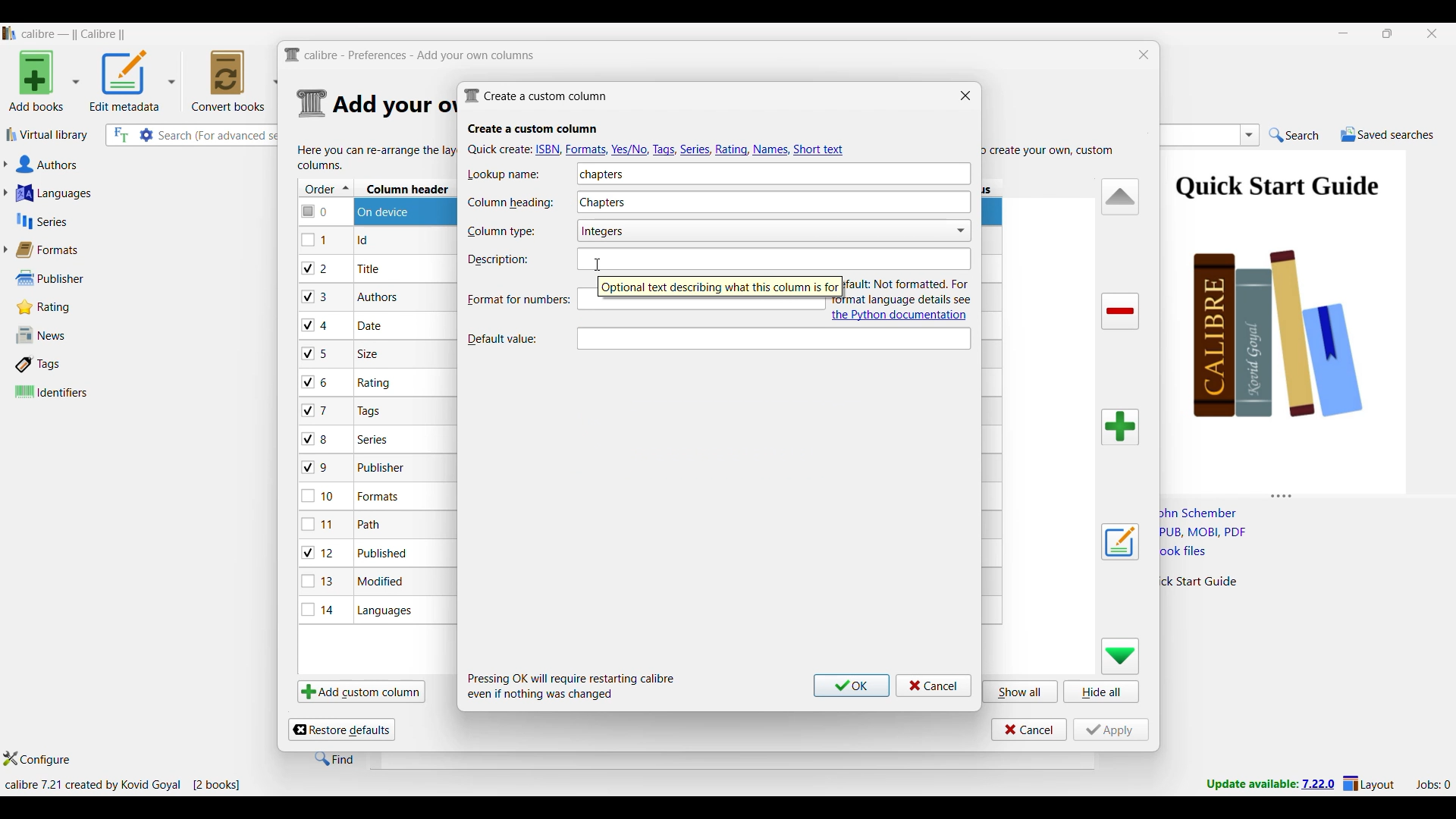  I want to click on Column heading typed in, so click(695, 199).